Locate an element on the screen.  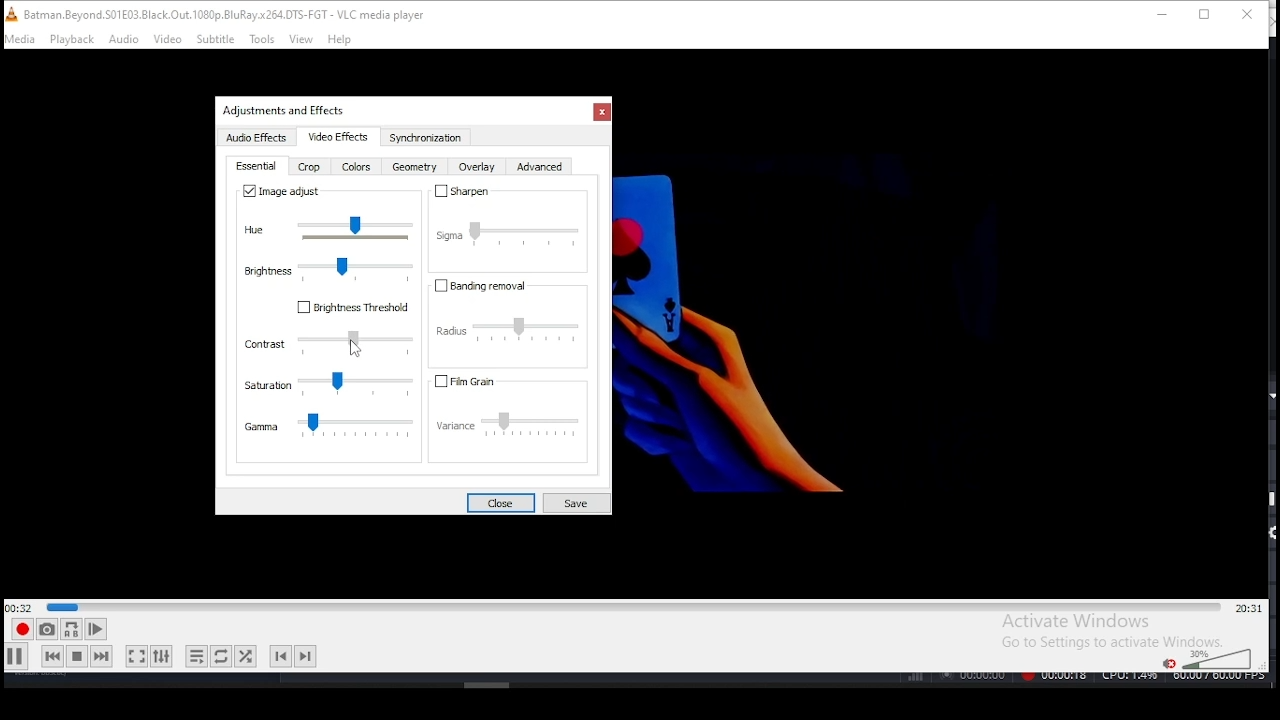
banding removal on/off is located at coordinates (487, 286).